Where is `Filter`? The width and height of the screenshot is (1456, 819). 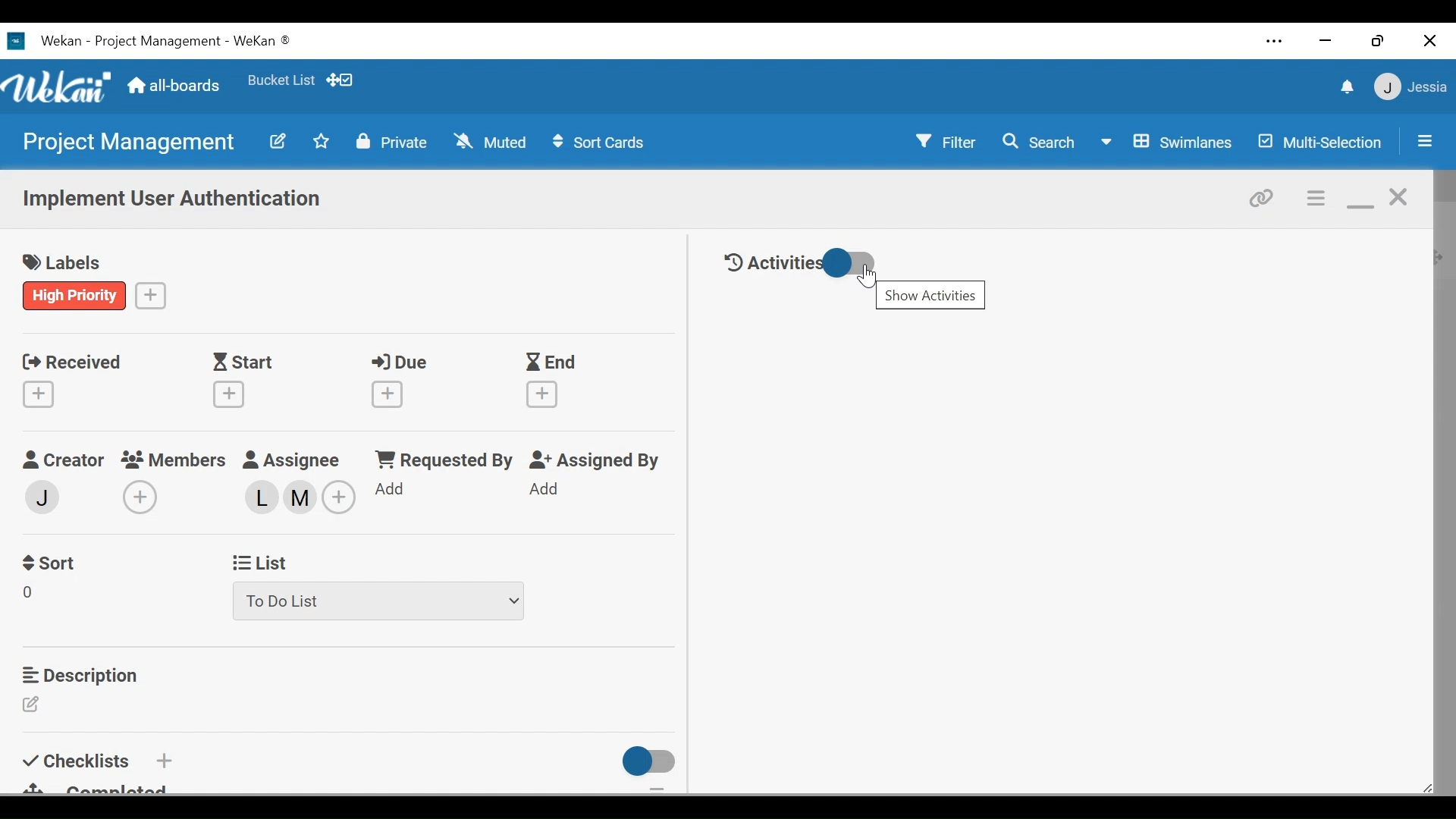
Filter is located at coordinates (948, 142).